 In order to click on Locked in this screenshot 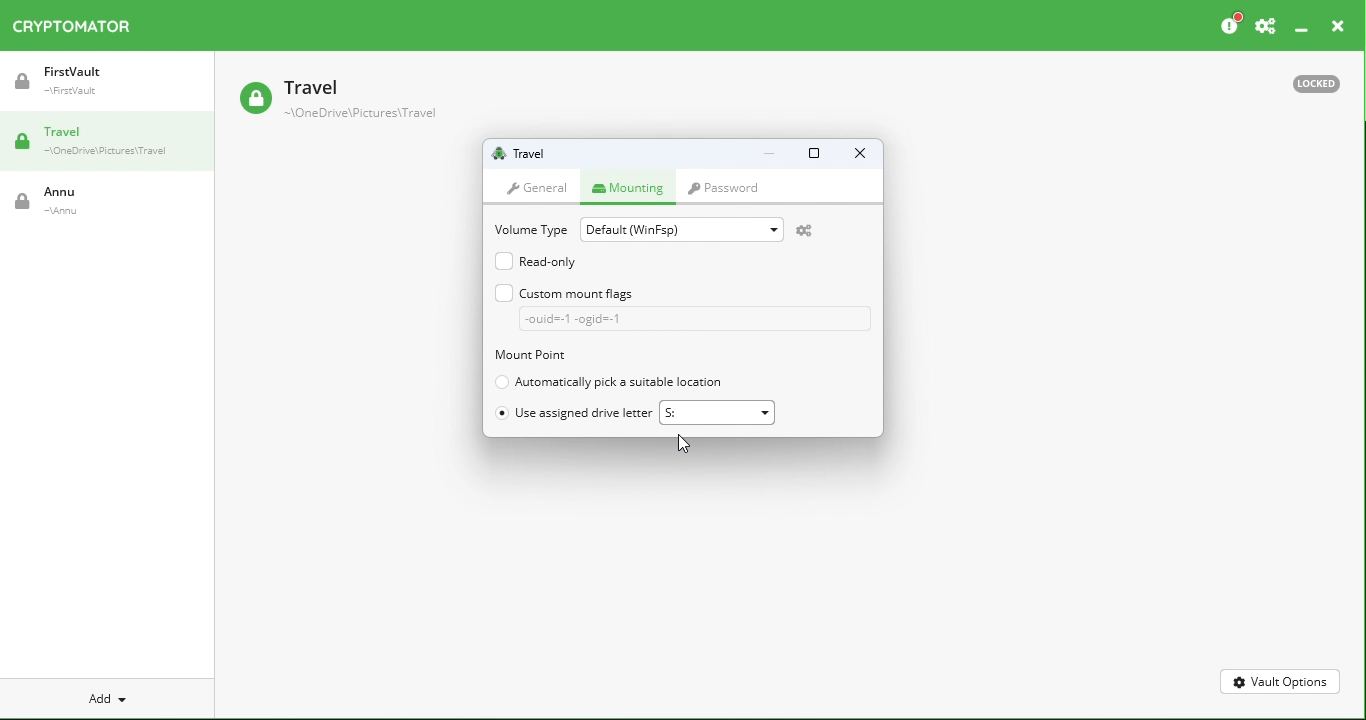, I will do `click(1322, 83)`.